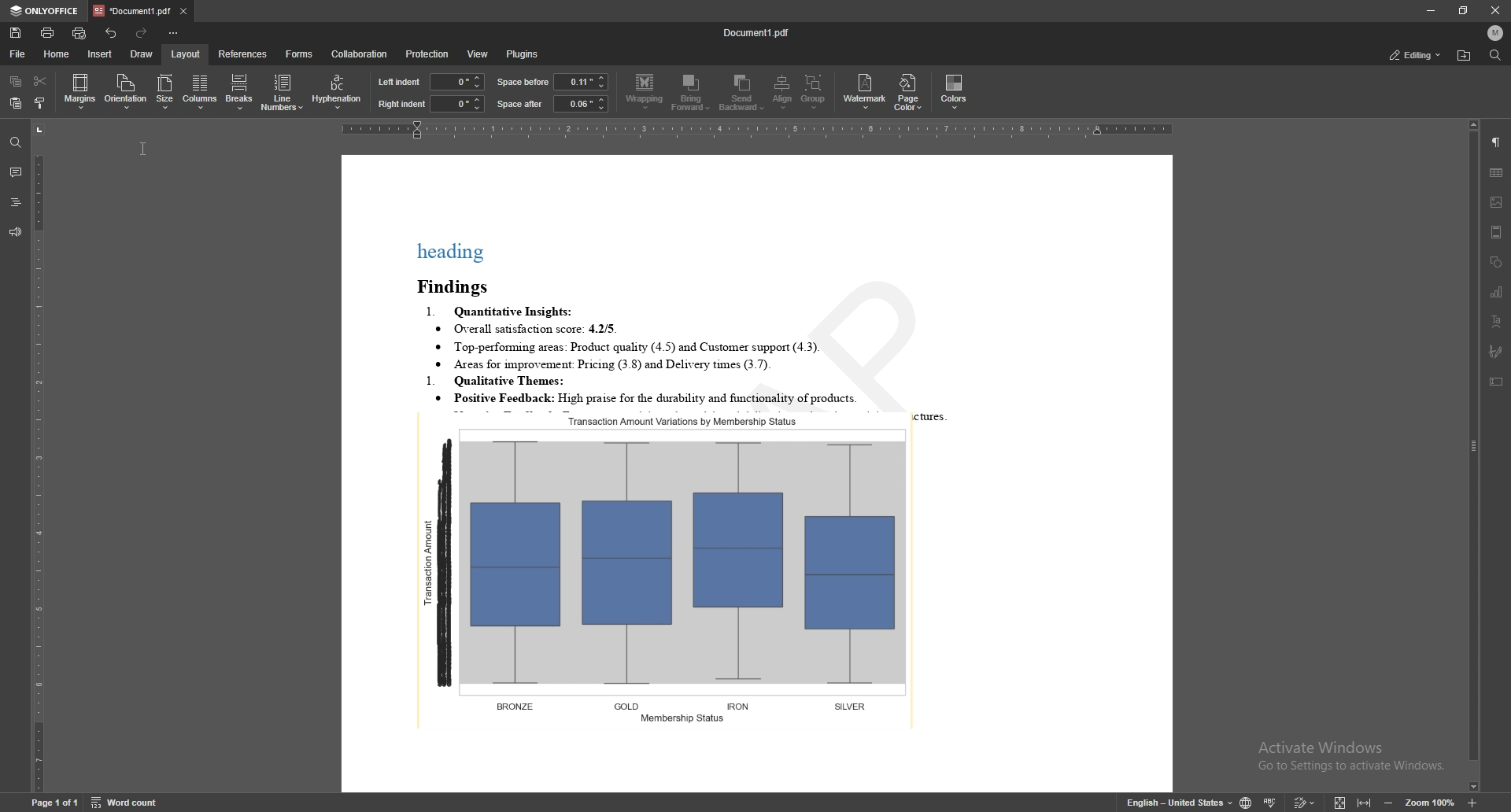 This screenshot has height=812, width=1511. Describe the element at coordinates (1305, 802) in the screenshot. I see `track changes` at that location.